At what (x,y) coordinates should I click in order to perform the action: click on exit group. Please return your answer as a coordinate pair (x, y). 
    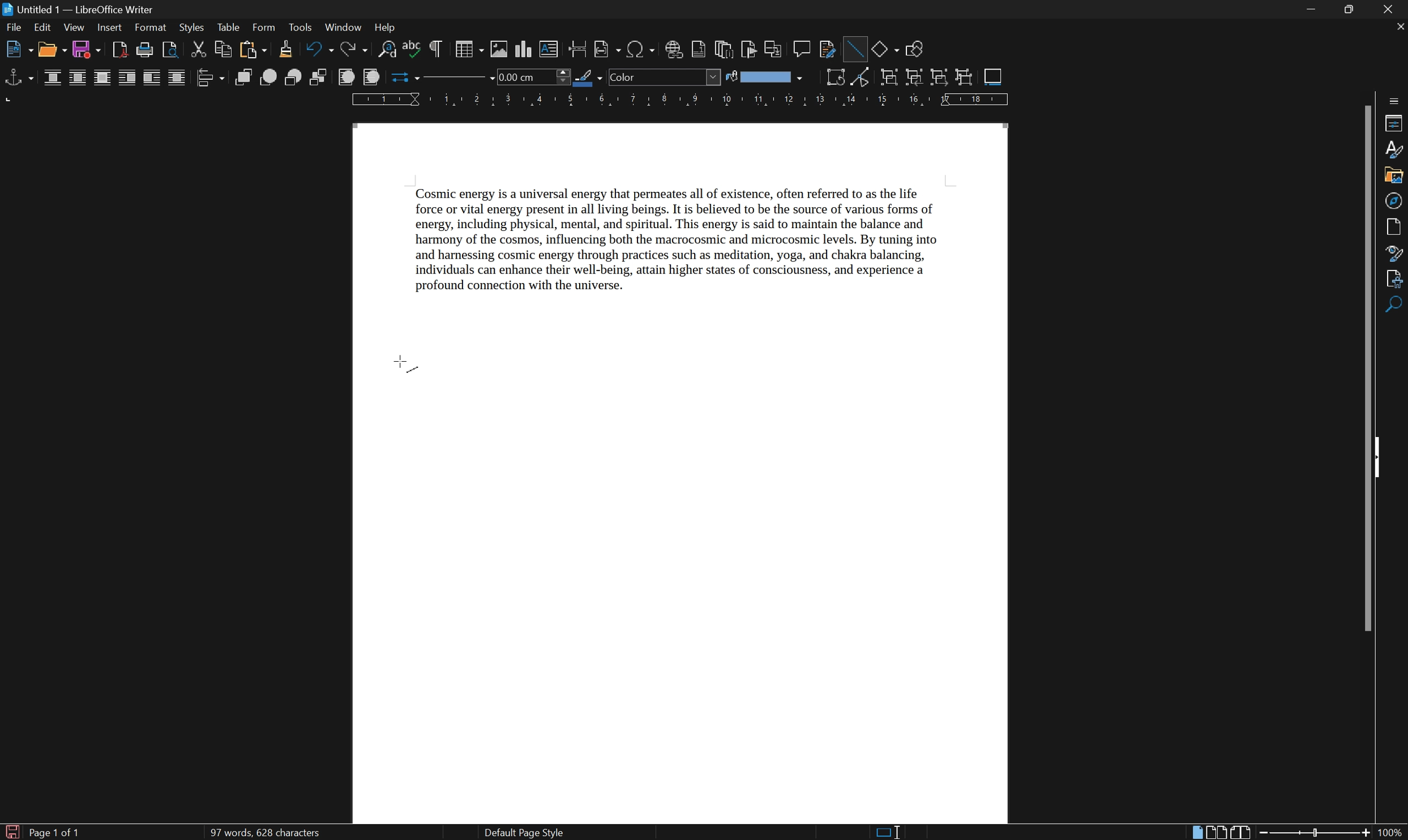
    Looking at the image, I should click on (941, 78).